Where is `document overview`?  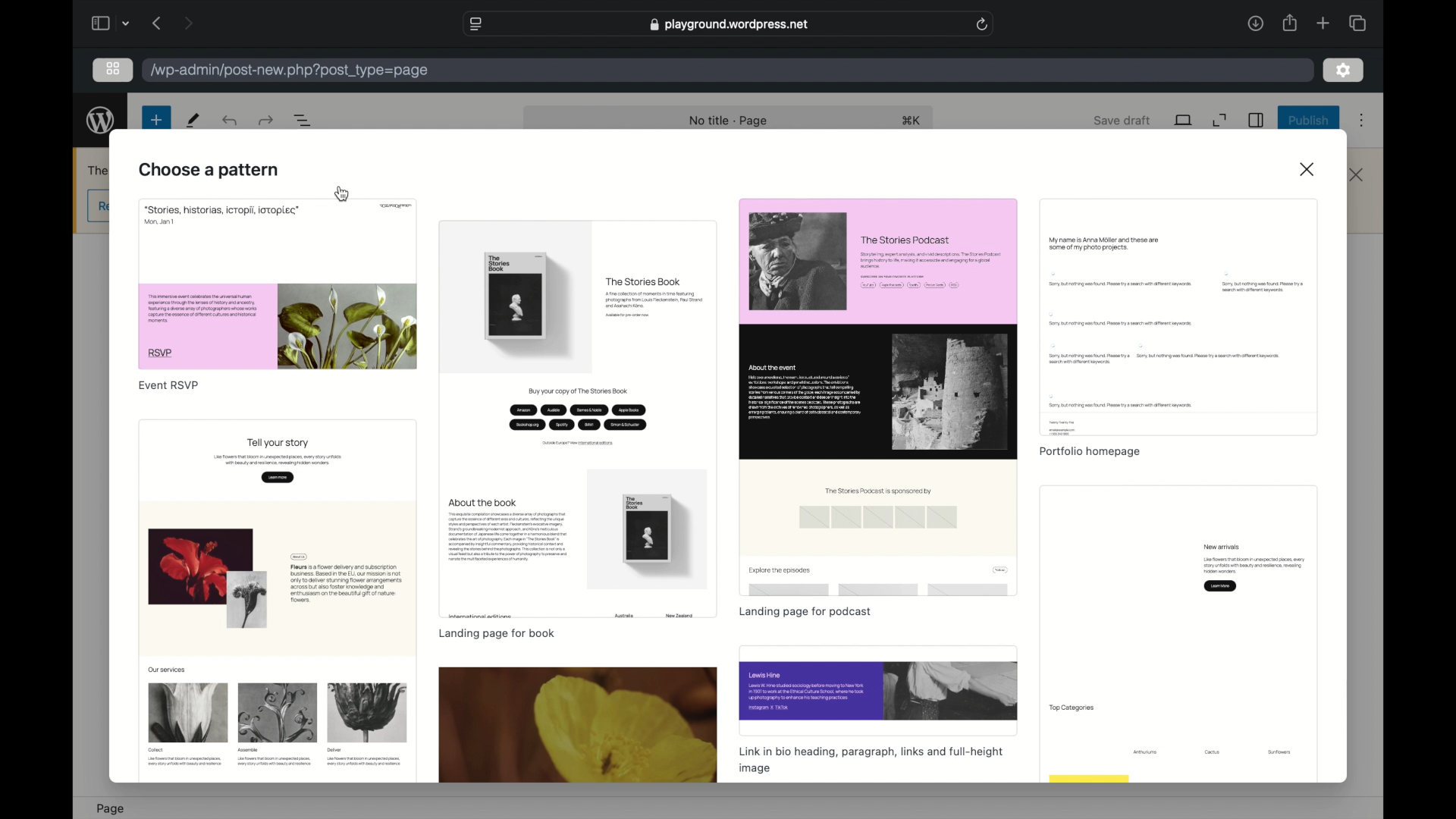
document overview is located at coordinates (303, 121).